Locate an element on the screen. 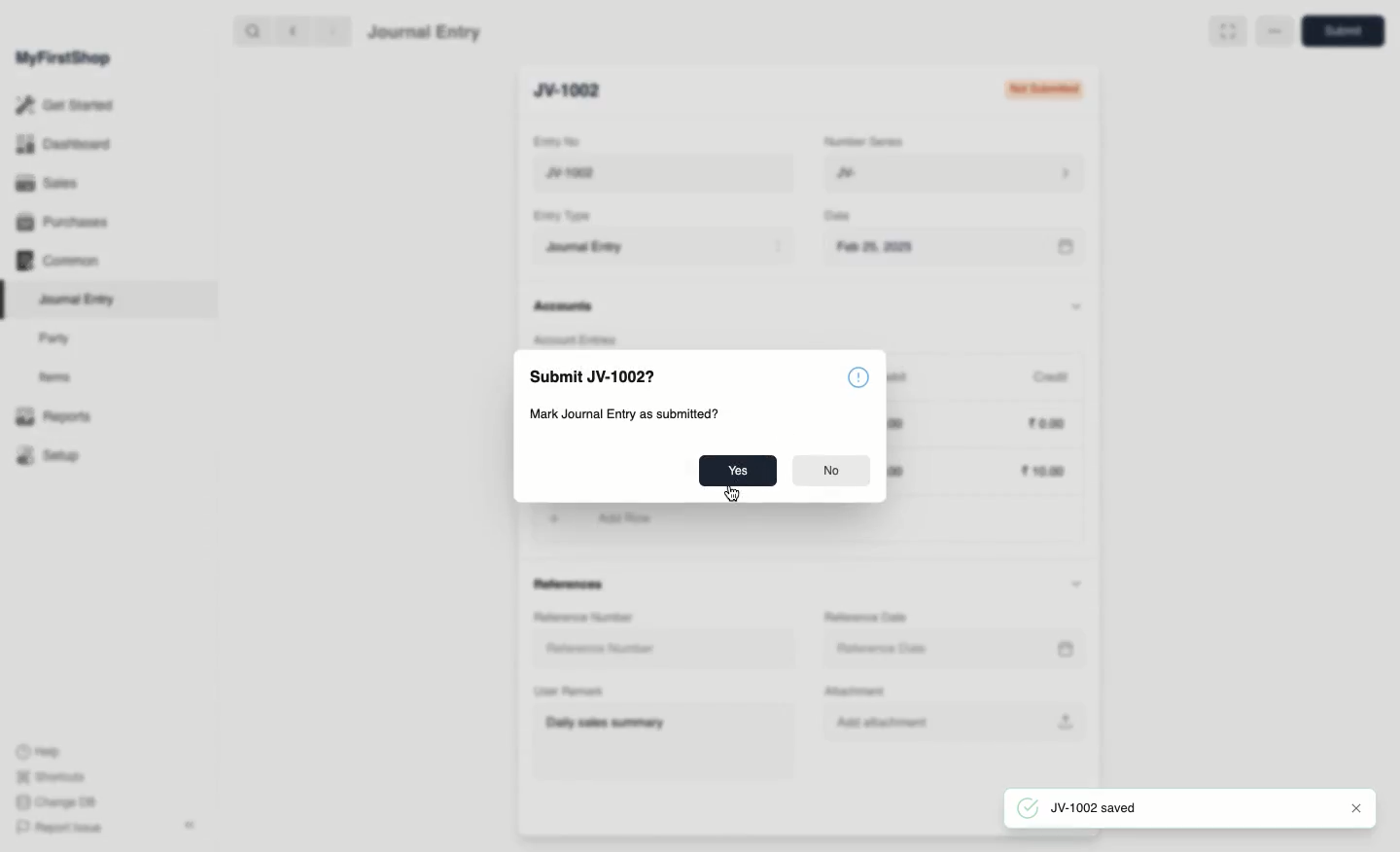  Common is located at coordinates (56, 261).